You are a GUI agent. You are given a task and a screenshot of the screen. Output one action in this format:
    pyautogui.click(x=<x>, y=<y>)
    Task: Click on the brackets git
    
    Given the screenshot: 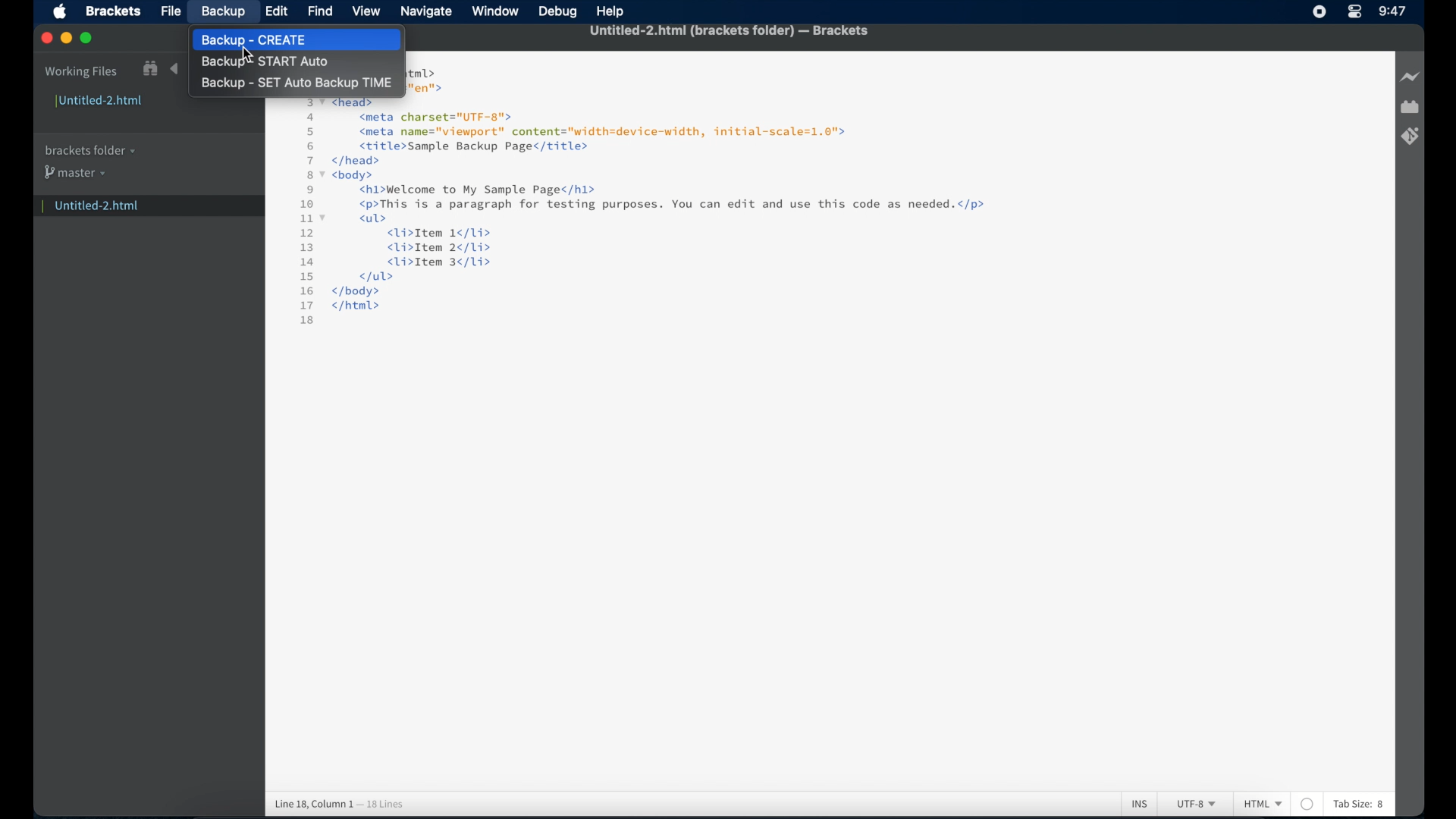 What is the action you would take?
    pyautogui.click(x=1410, y=136)
    